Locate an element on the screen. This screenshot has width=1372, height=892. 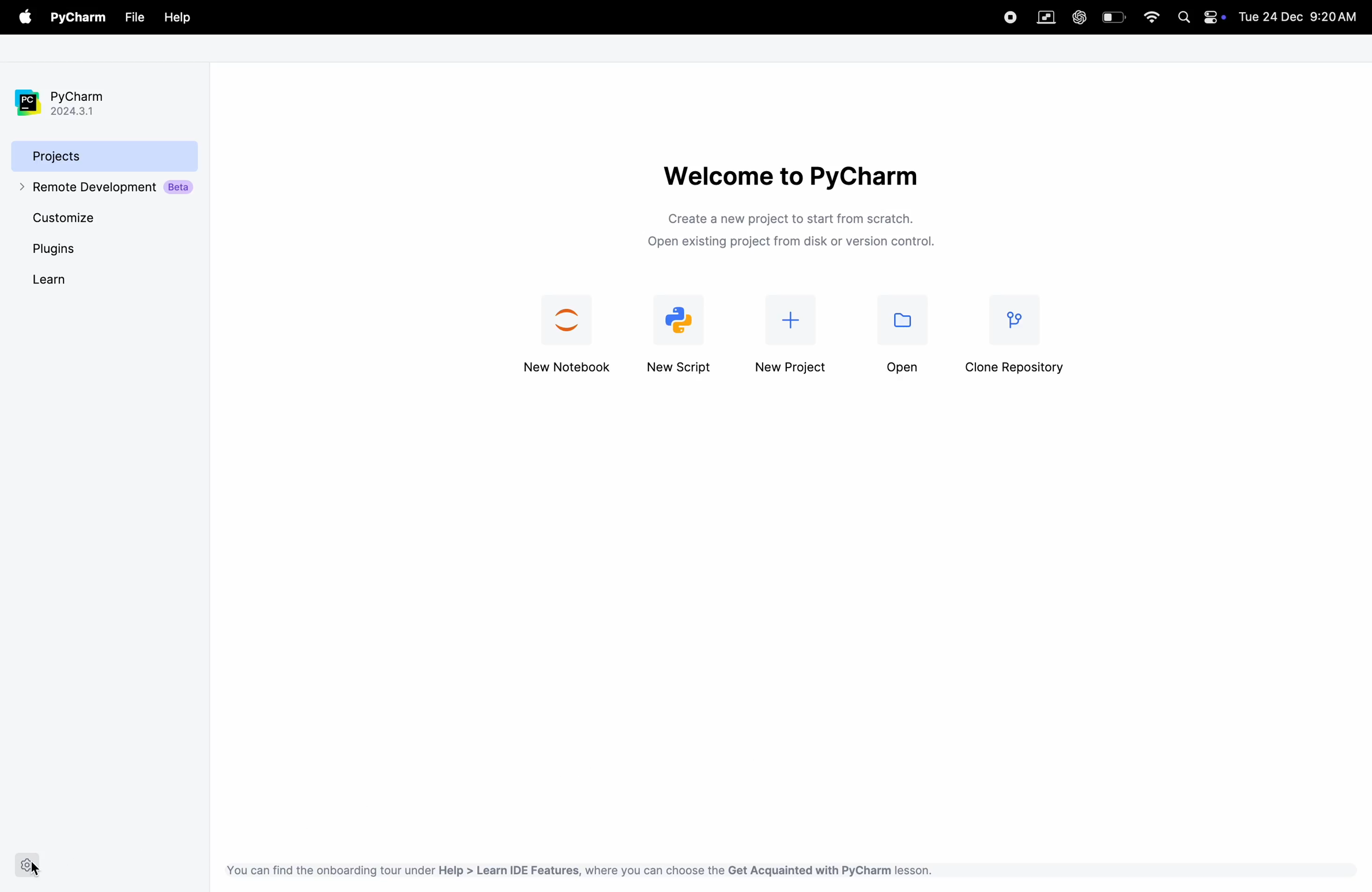
ide features is located at coordinates (576, 870).